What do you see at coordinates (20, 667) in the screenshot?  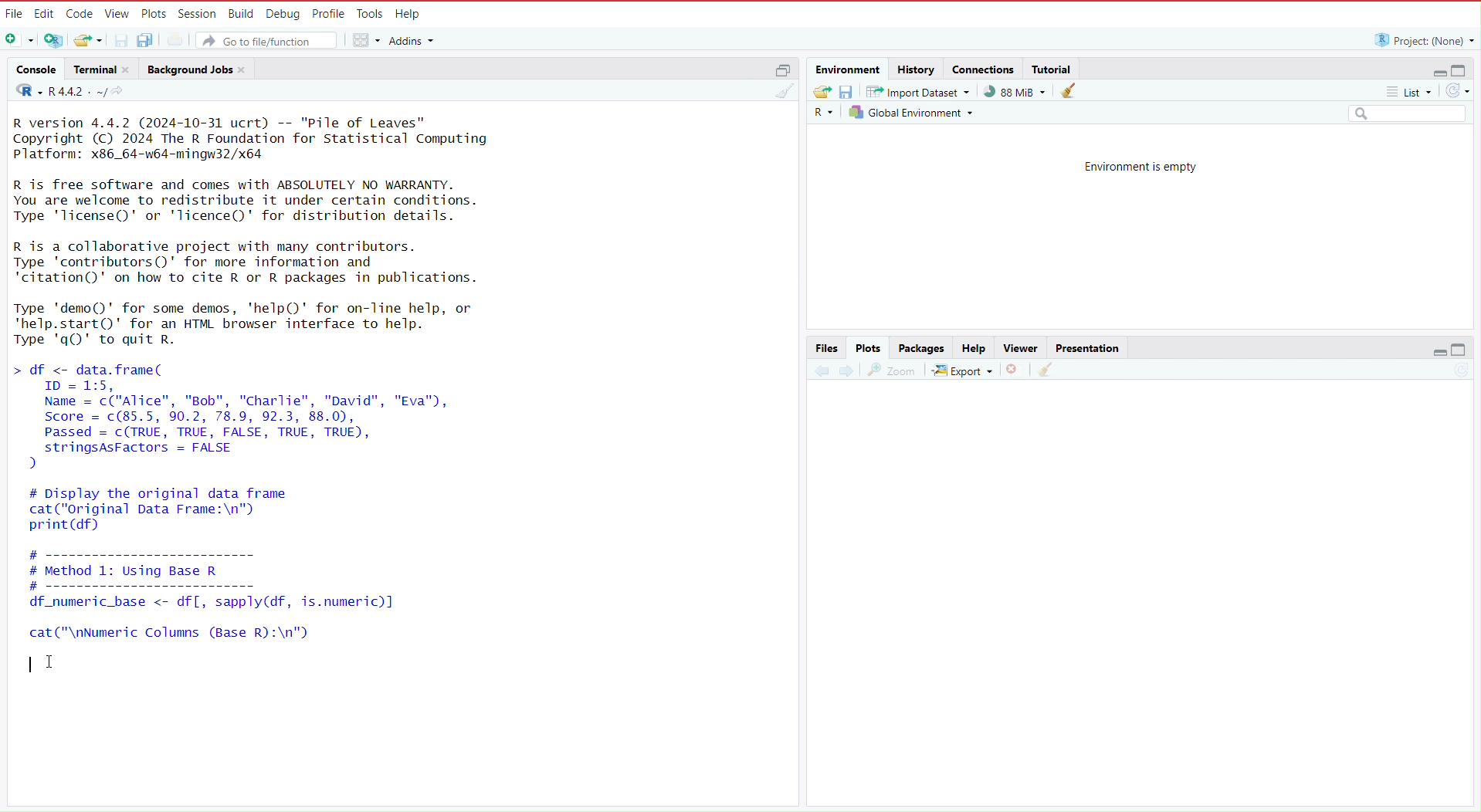 I see `typing` at bounding box center [20, 667].